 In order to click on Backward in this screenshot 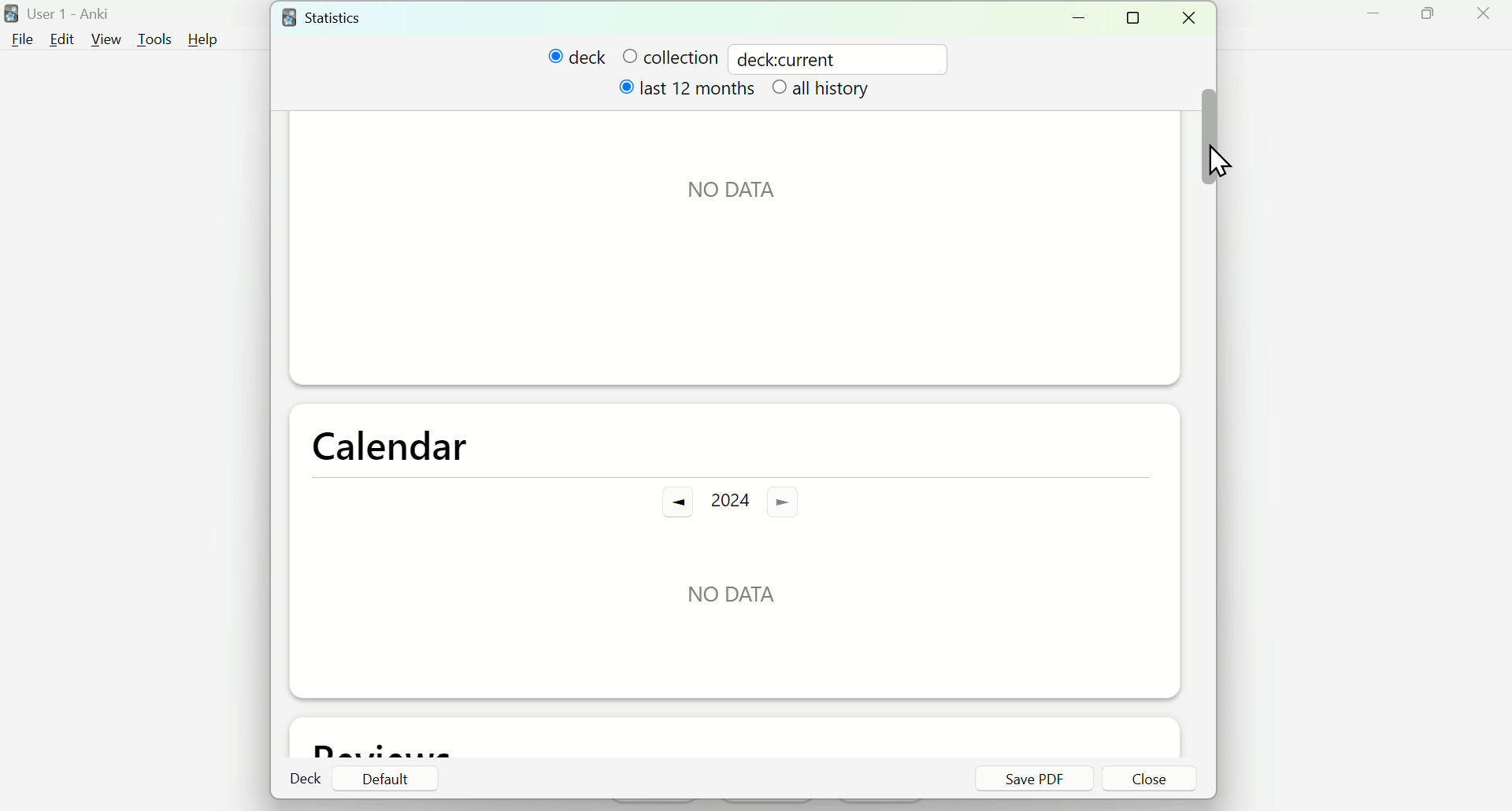, I will do `click(669, 502)`.